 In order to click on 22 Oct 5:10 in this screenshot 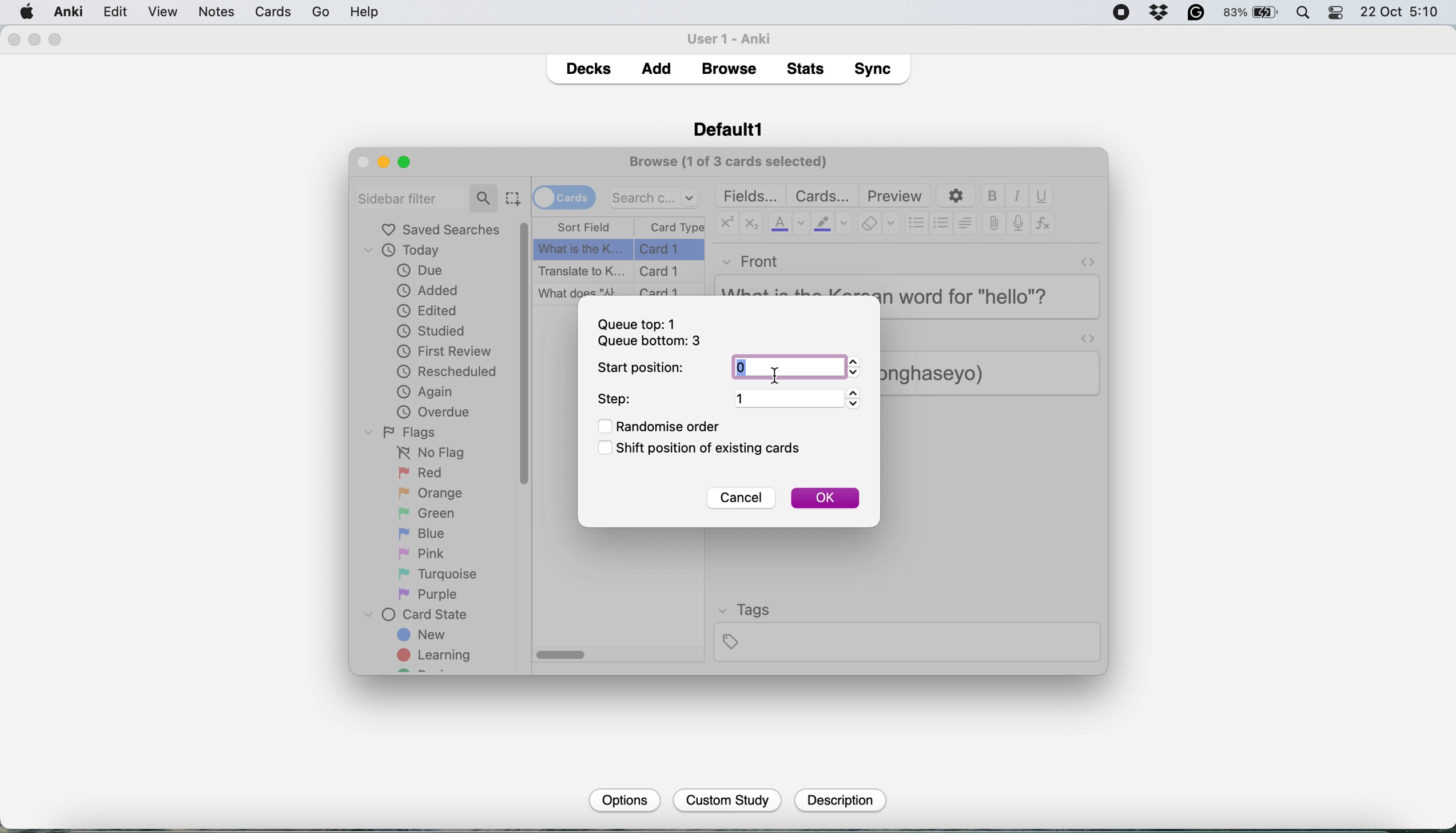, I will do `click(1401, 13)`.